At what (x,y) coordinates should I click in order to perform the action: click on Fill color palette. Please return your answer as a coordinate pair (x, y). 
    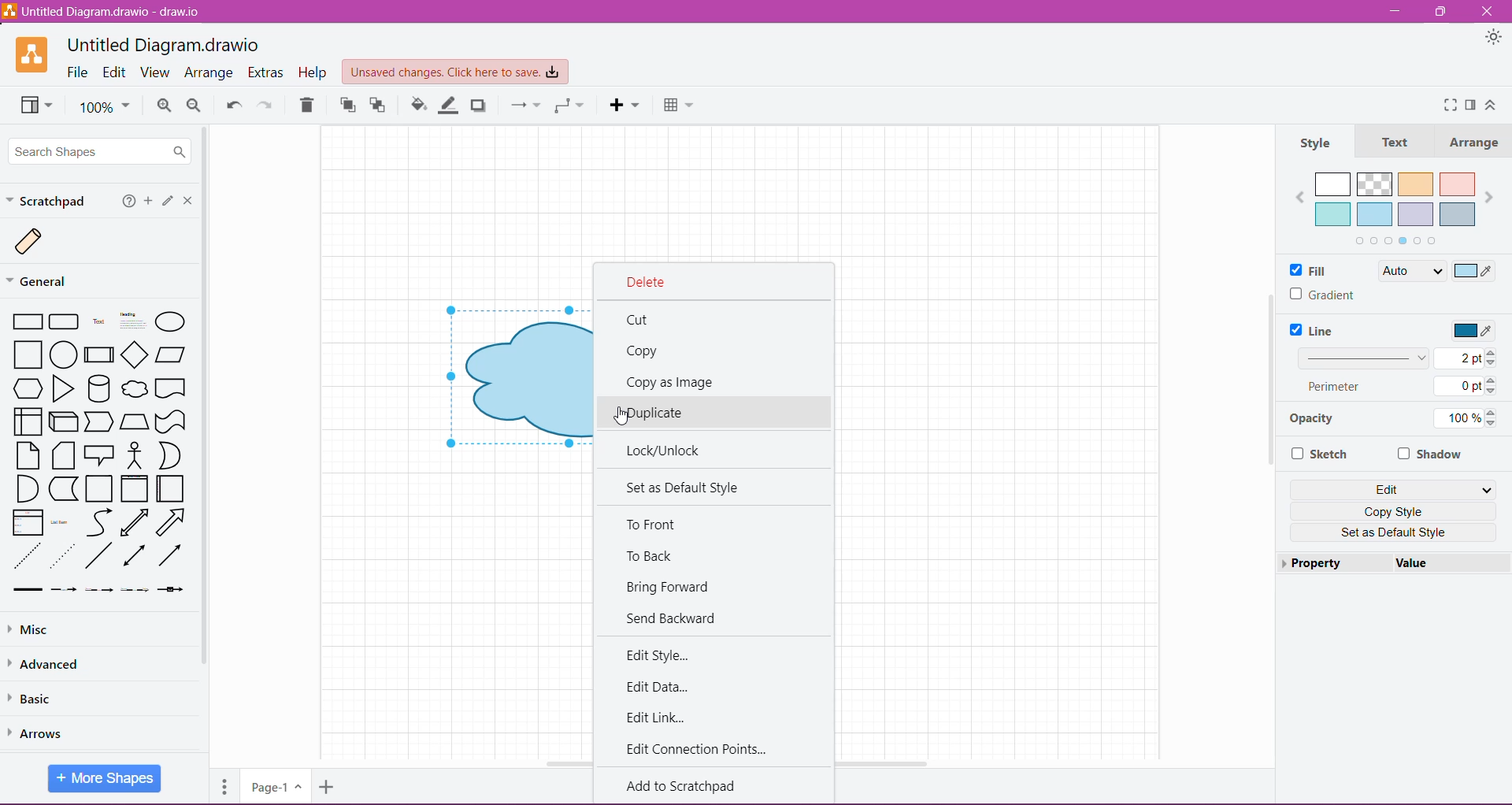
    Looking at the image, I should click on (1395, 208).